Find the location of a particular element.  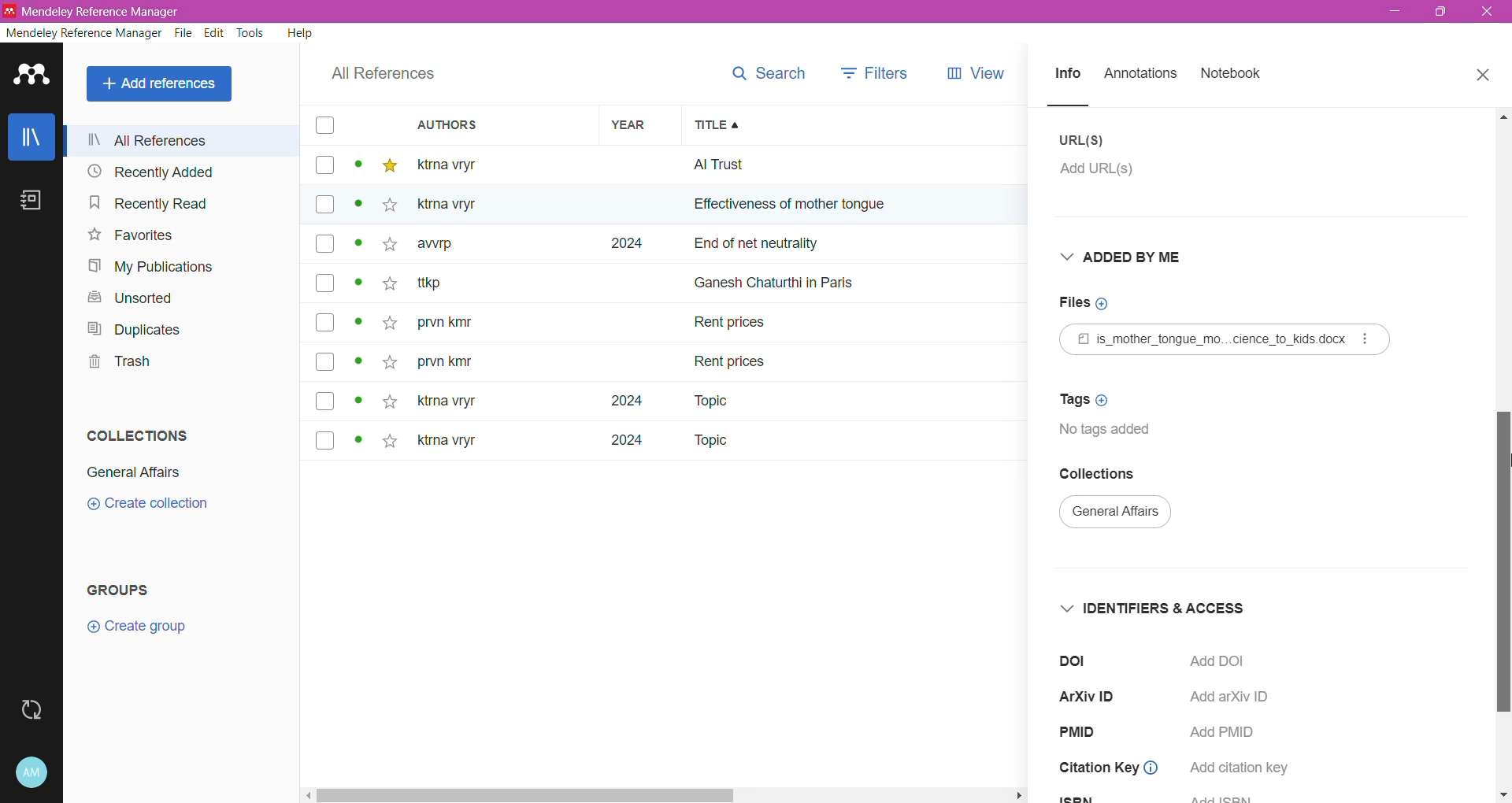

dot  is located at coordinates (360, 287).